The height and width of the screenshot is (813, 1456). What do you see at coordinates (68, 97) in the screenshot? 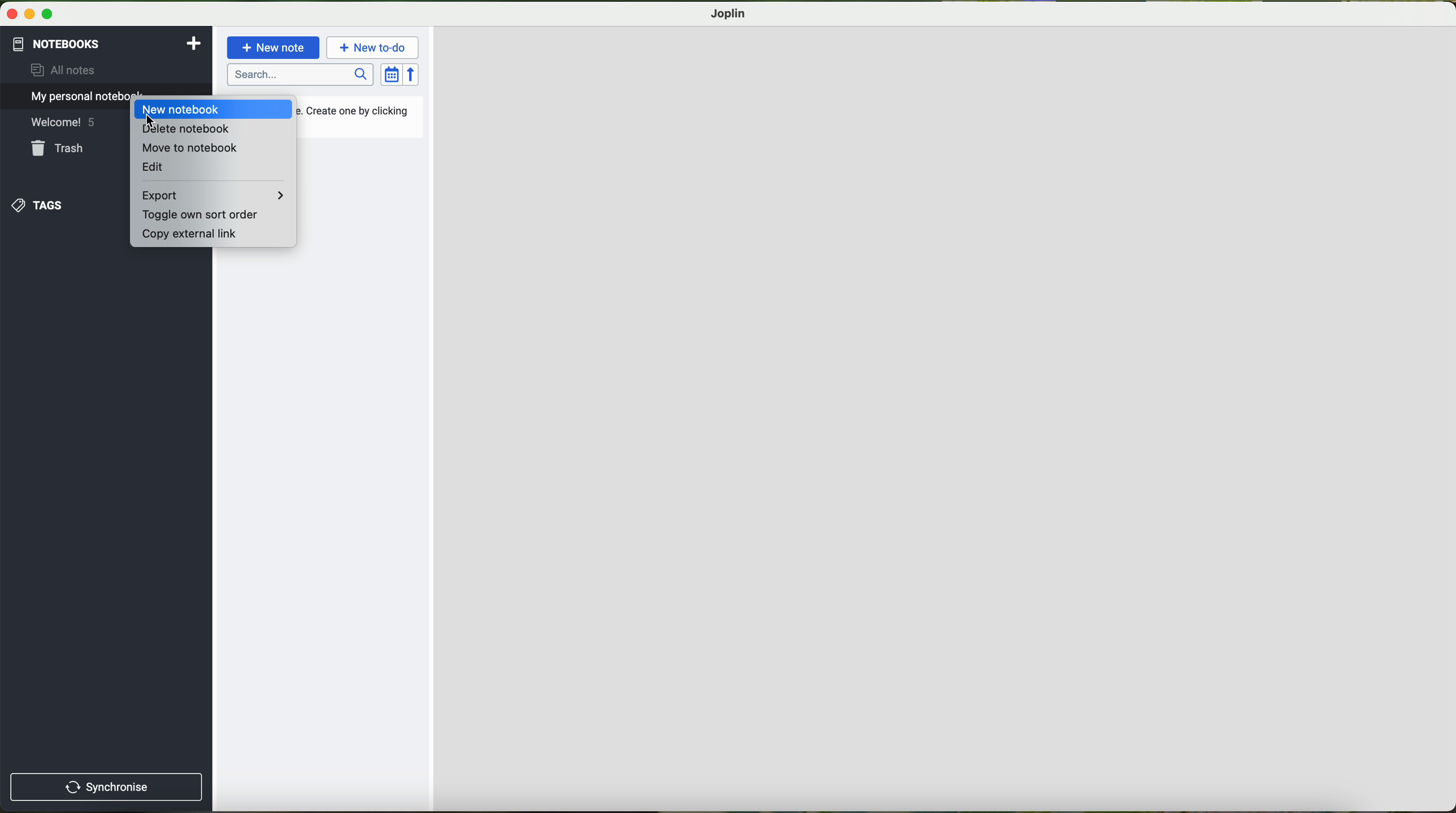
I see `my personal notebook` at bounding box center [68, 97].